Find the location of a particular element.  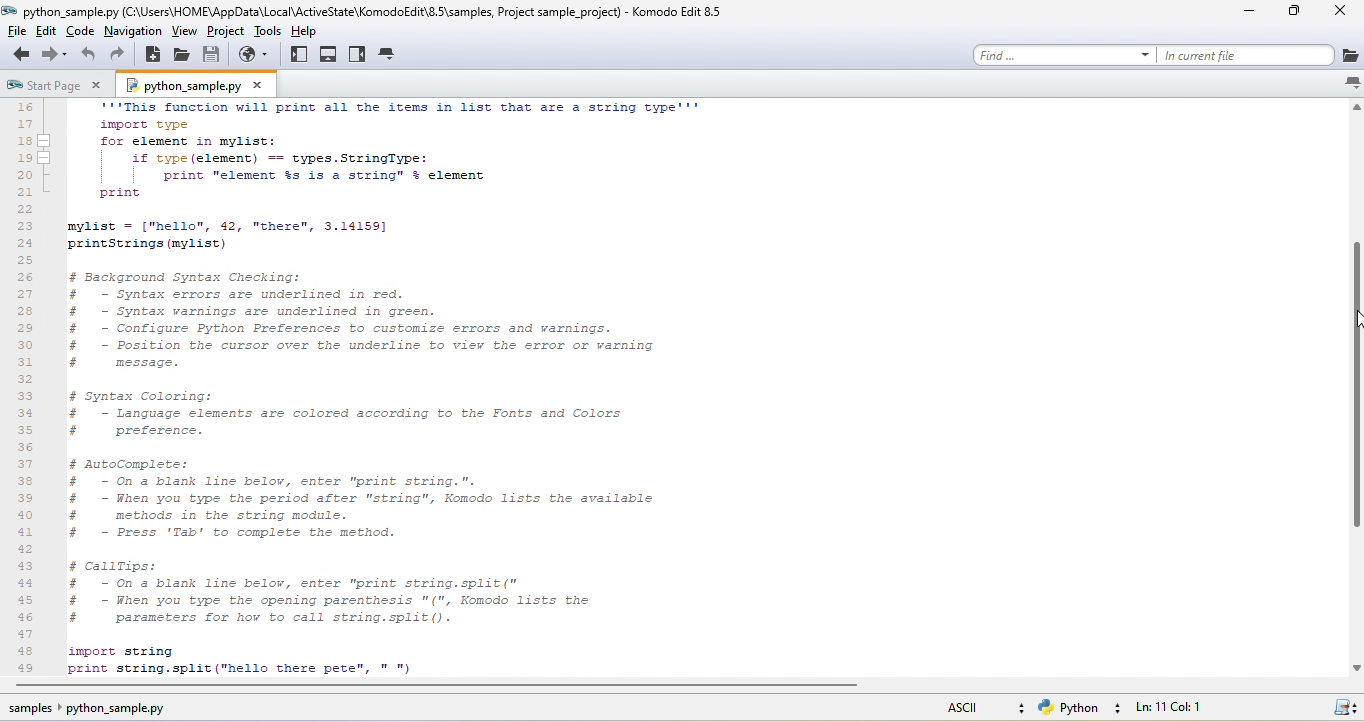

code is located at coordinates (82, 31).